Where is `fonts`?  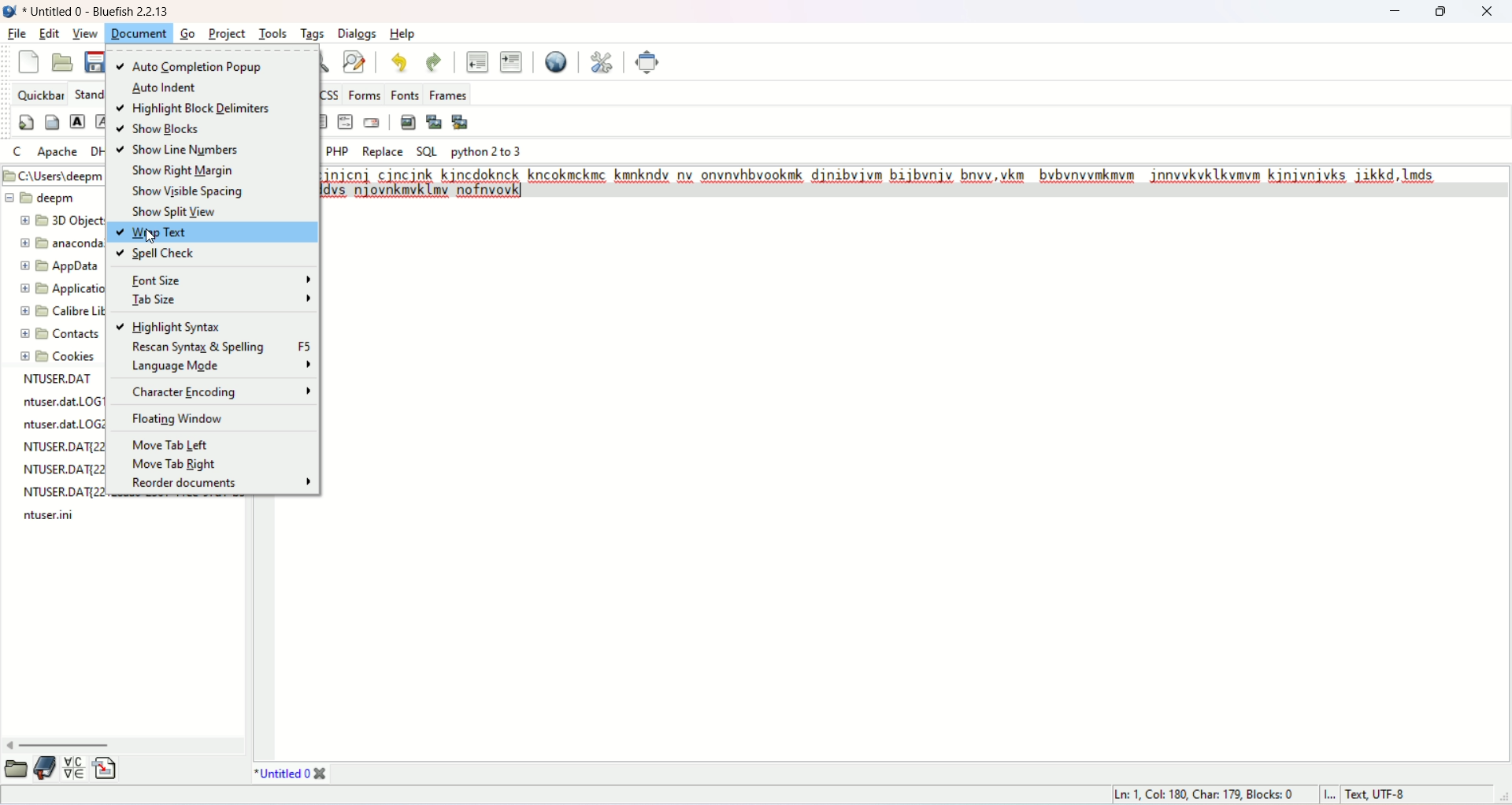 fonts is located at coordinates (407, 95).